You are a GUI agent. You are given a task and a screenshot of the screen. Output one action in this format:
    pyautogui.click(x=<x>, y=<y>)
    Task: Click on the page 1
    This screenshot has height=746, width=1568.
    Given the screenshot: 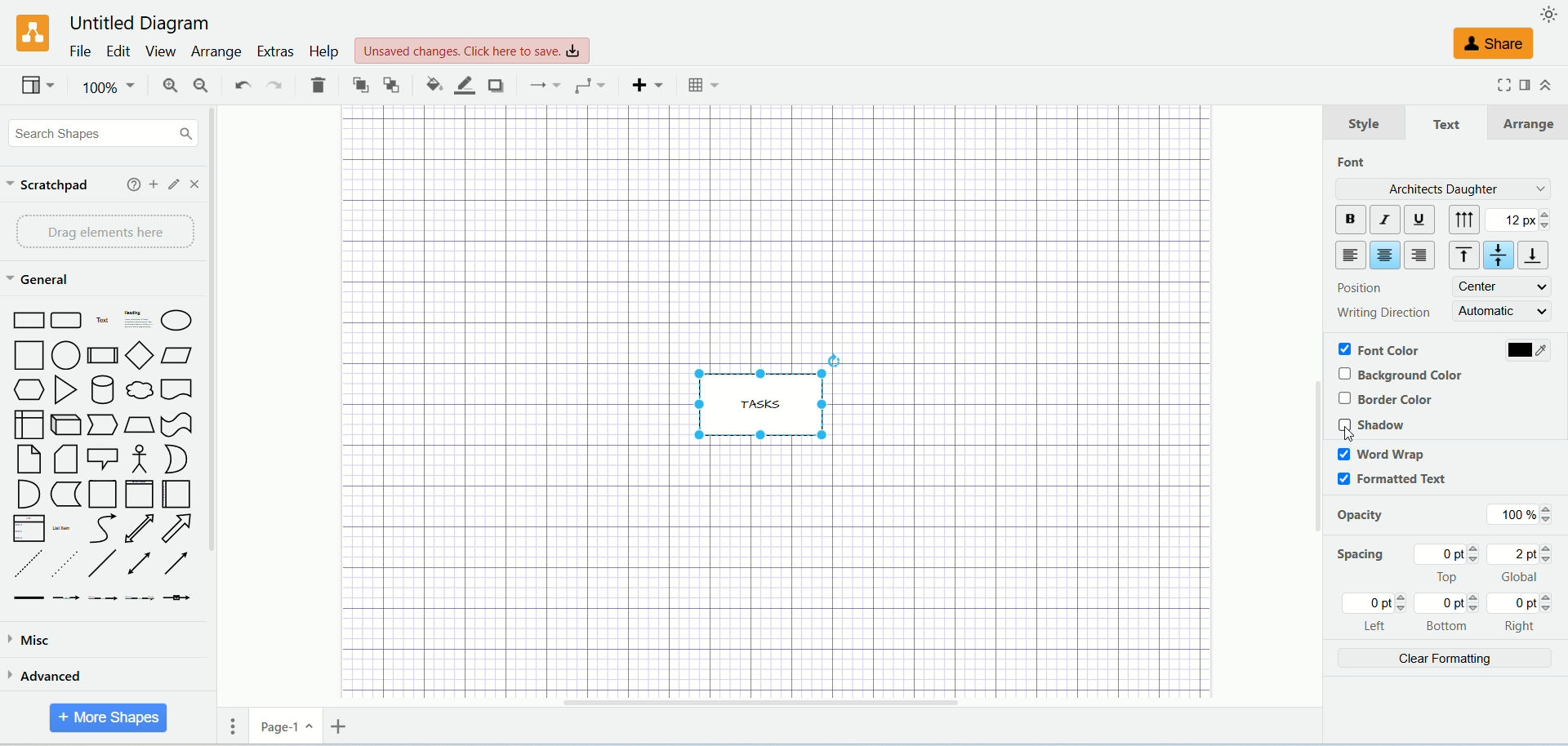 What is the action you would take?
    pyautogui.click(x=286, y=726)
    